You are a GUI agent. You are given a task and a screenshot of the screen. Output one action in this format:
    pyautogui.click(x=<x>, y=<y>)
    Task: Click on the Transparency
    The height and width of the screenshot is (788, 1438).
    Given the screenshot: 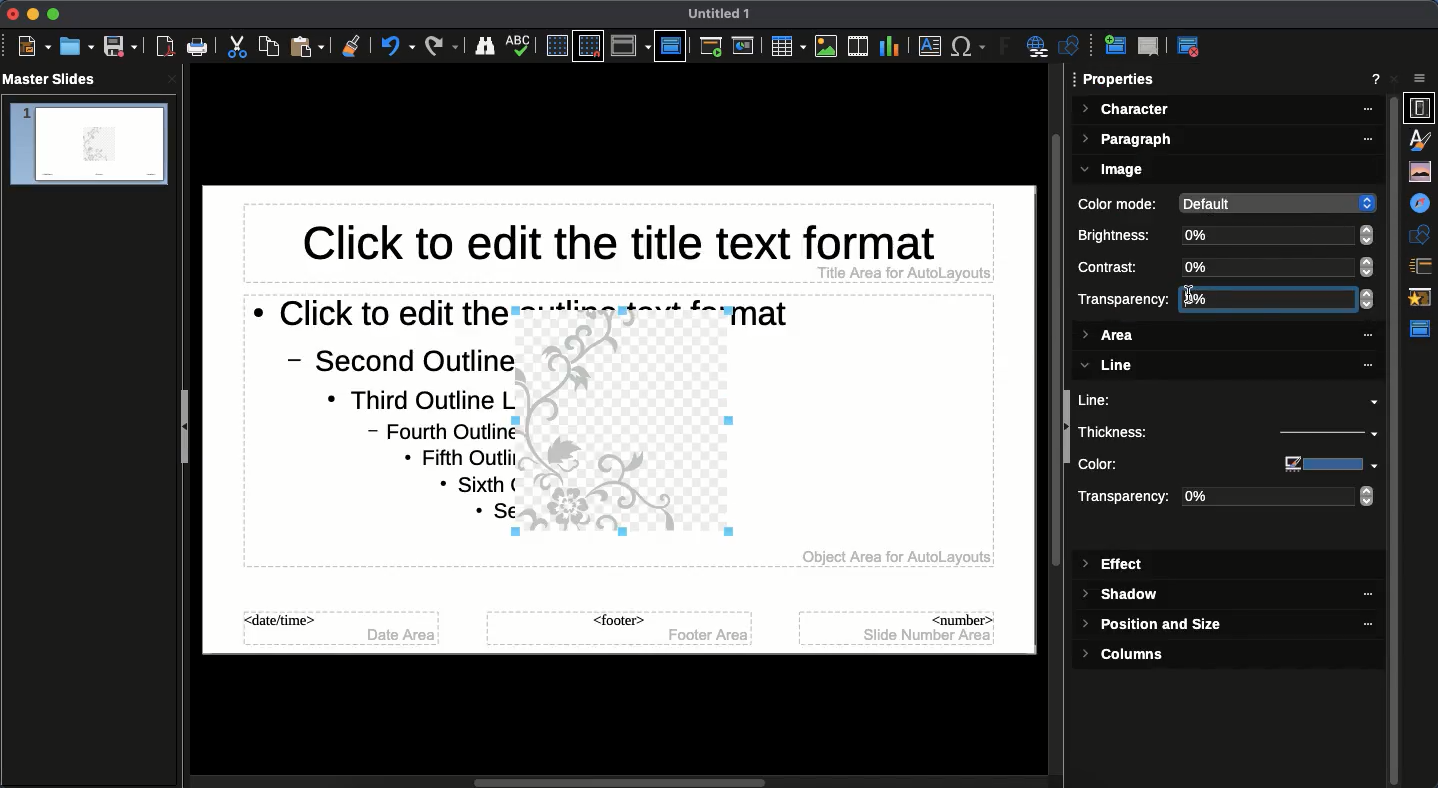 What is the action you would take?
    pyautogui.click(x=1124, y=299)
    